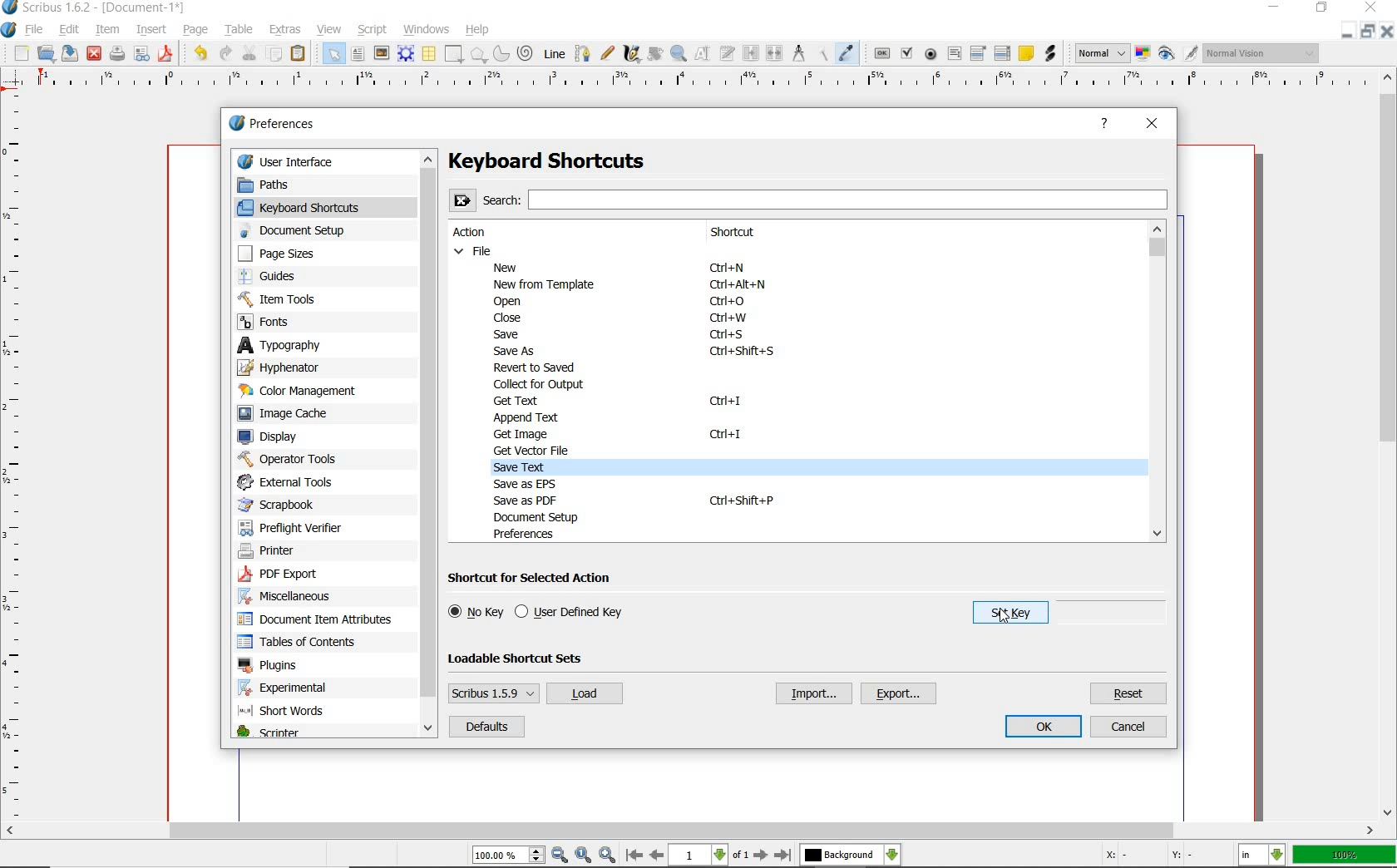 The image size is (1397, 868). Describe the element at coordinates (708, 856) in the screenshot. I see `move to next or previous page` at that location.